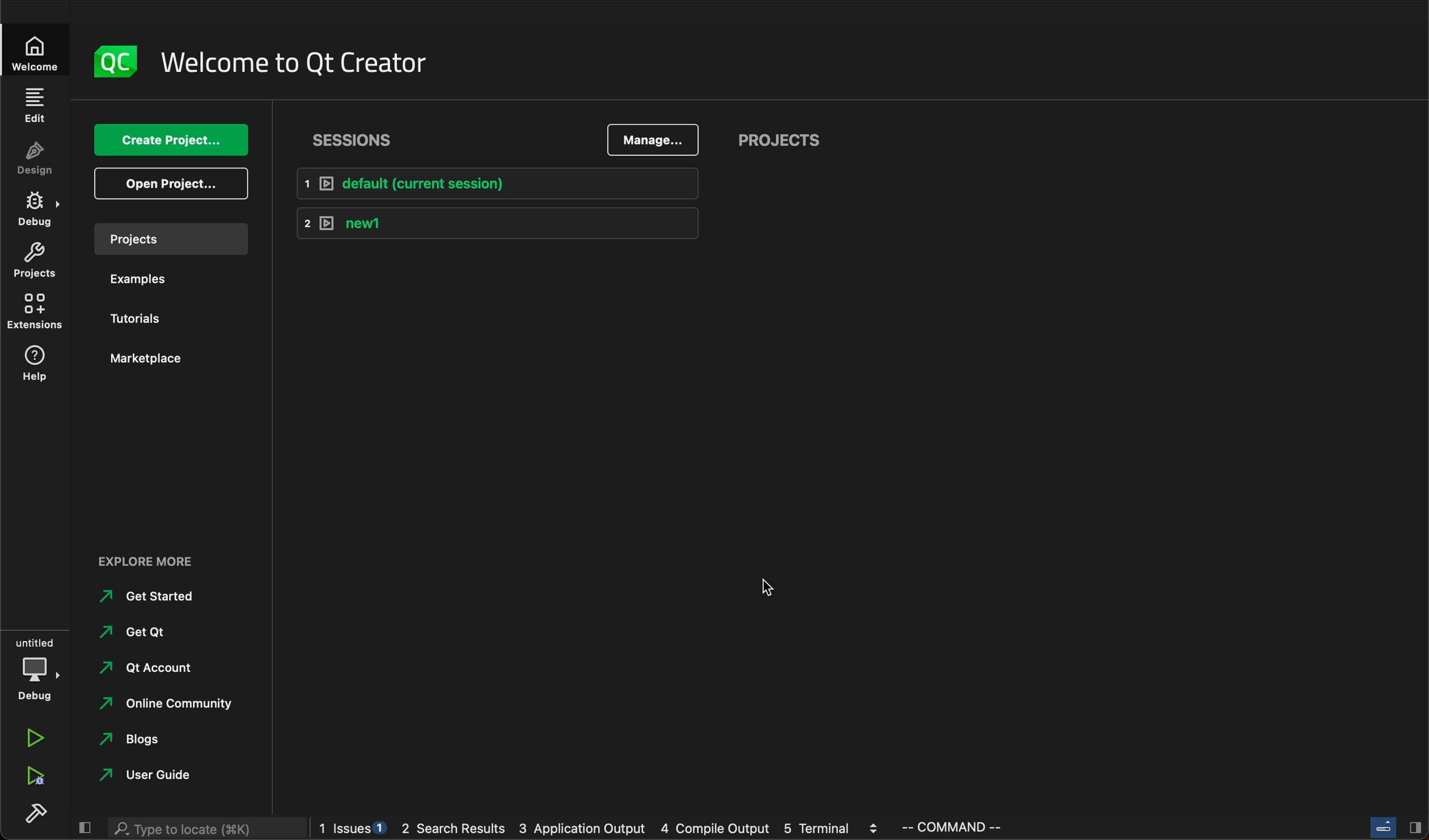 This screenshot has height=840, width=1429. Describe the element at coordinates (498, 224) in the screenshot. I see `new1` at that location.